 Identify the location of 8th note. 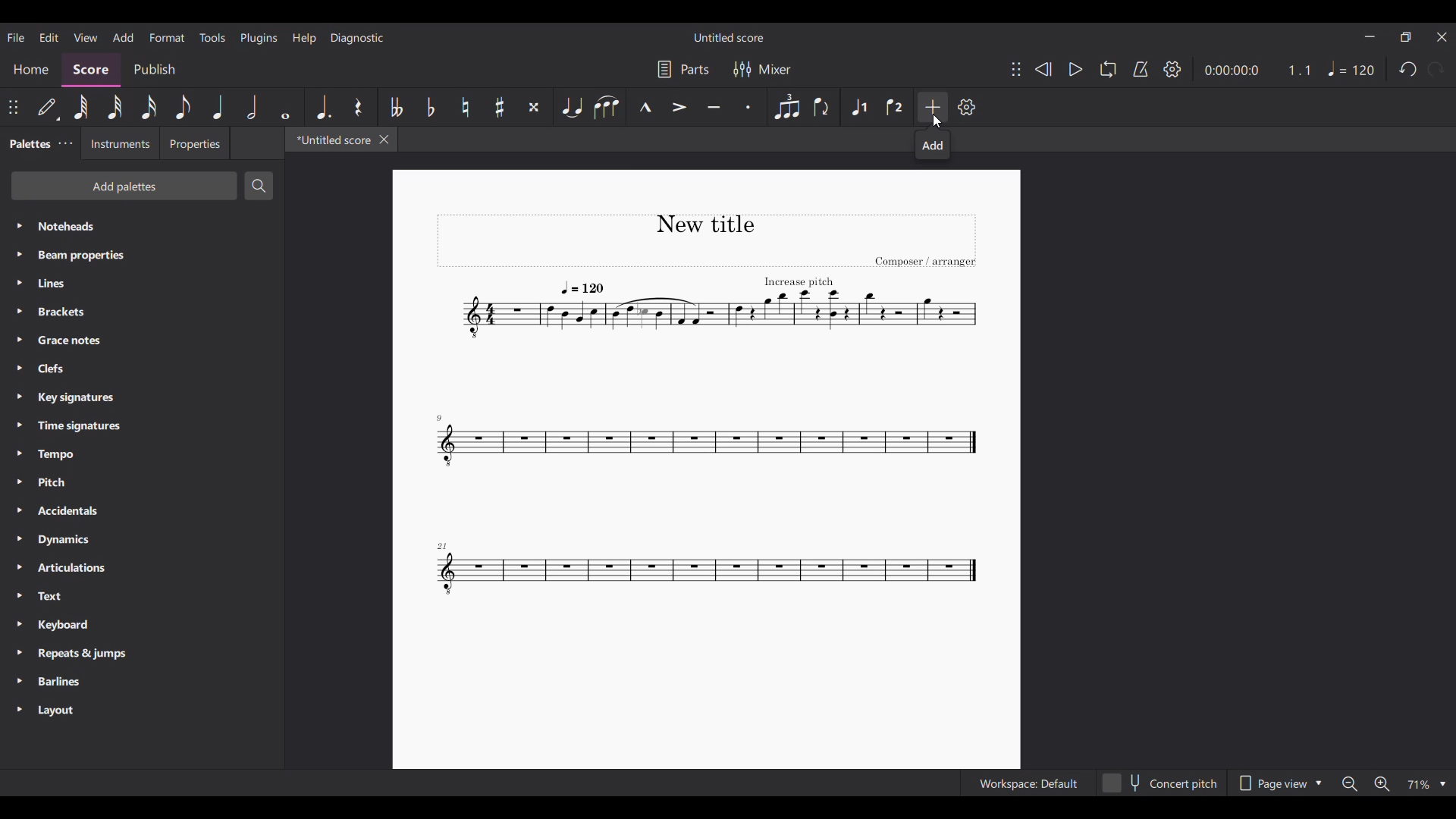
(184, 107).